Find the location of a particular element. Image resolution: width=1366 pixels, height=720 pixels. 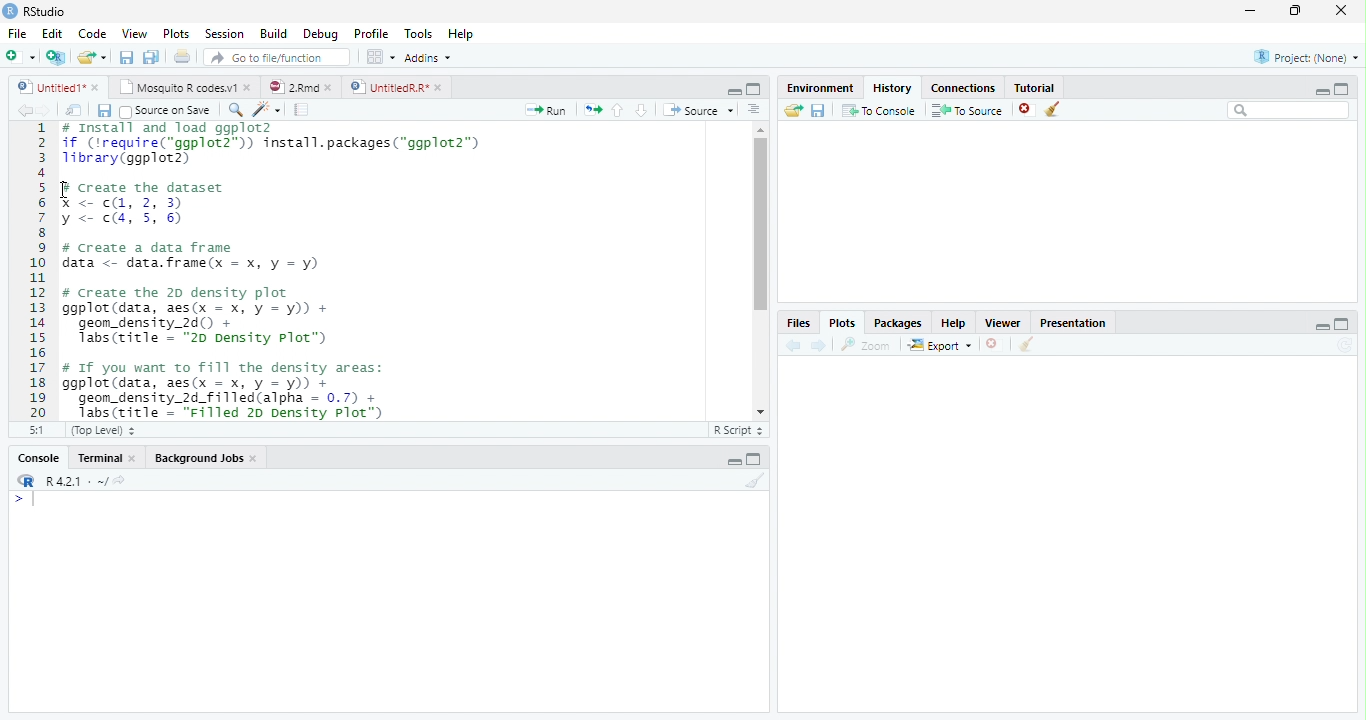

Console is located at coordinates (38, 459).